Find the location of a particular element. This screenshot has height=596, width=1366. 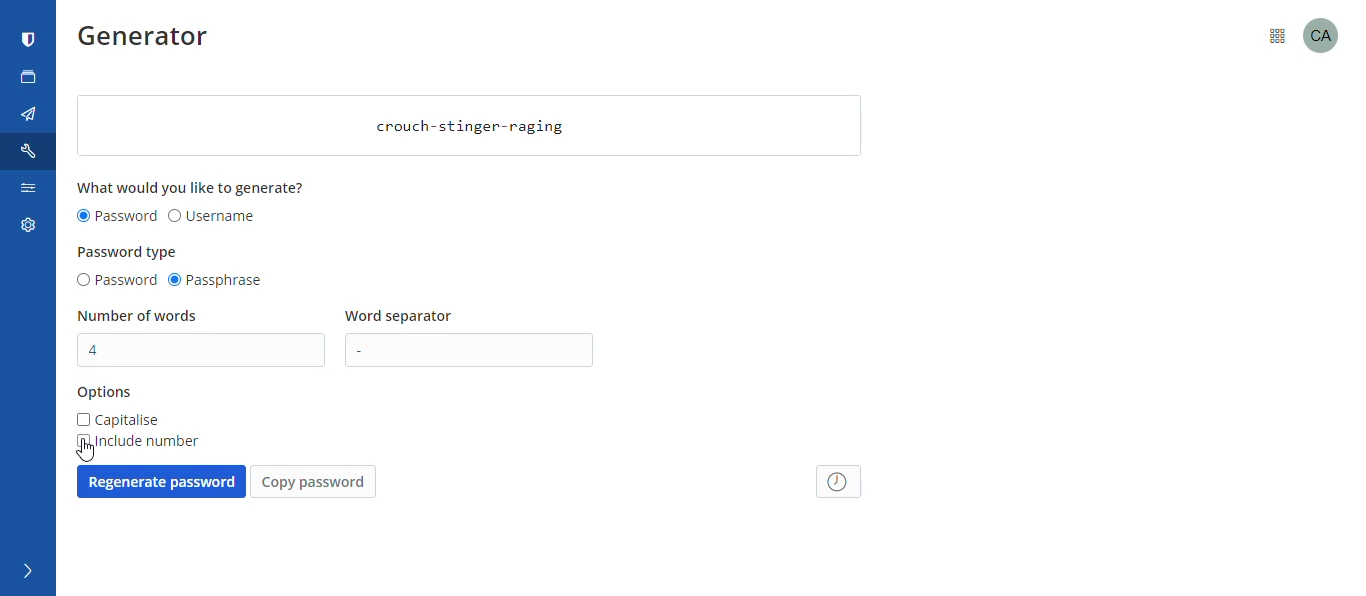

word separator input text box is located at coordinates (475, 350).